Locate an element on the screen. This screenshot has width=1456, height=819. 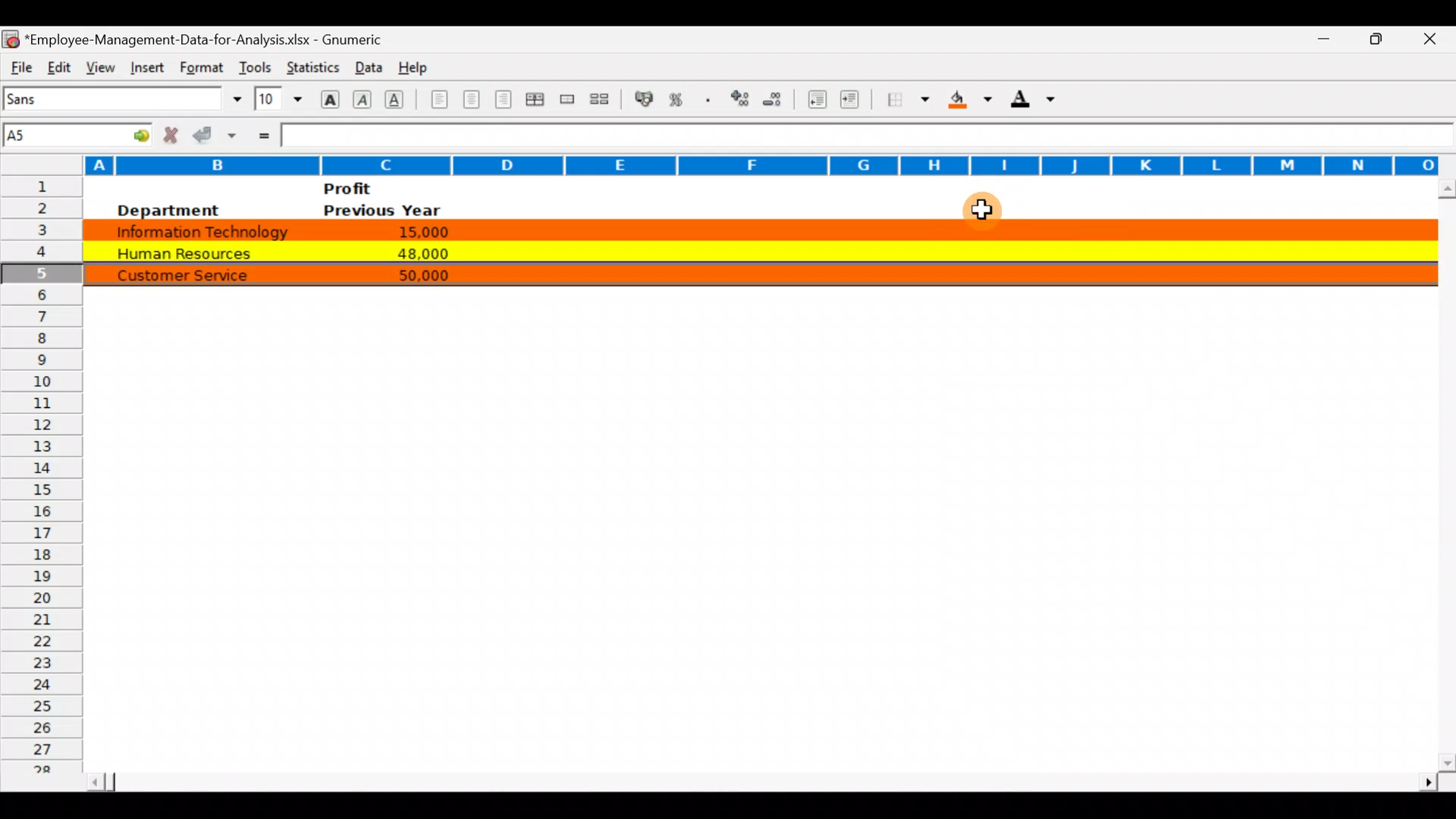
Italic is located at coordinates (362, 101).